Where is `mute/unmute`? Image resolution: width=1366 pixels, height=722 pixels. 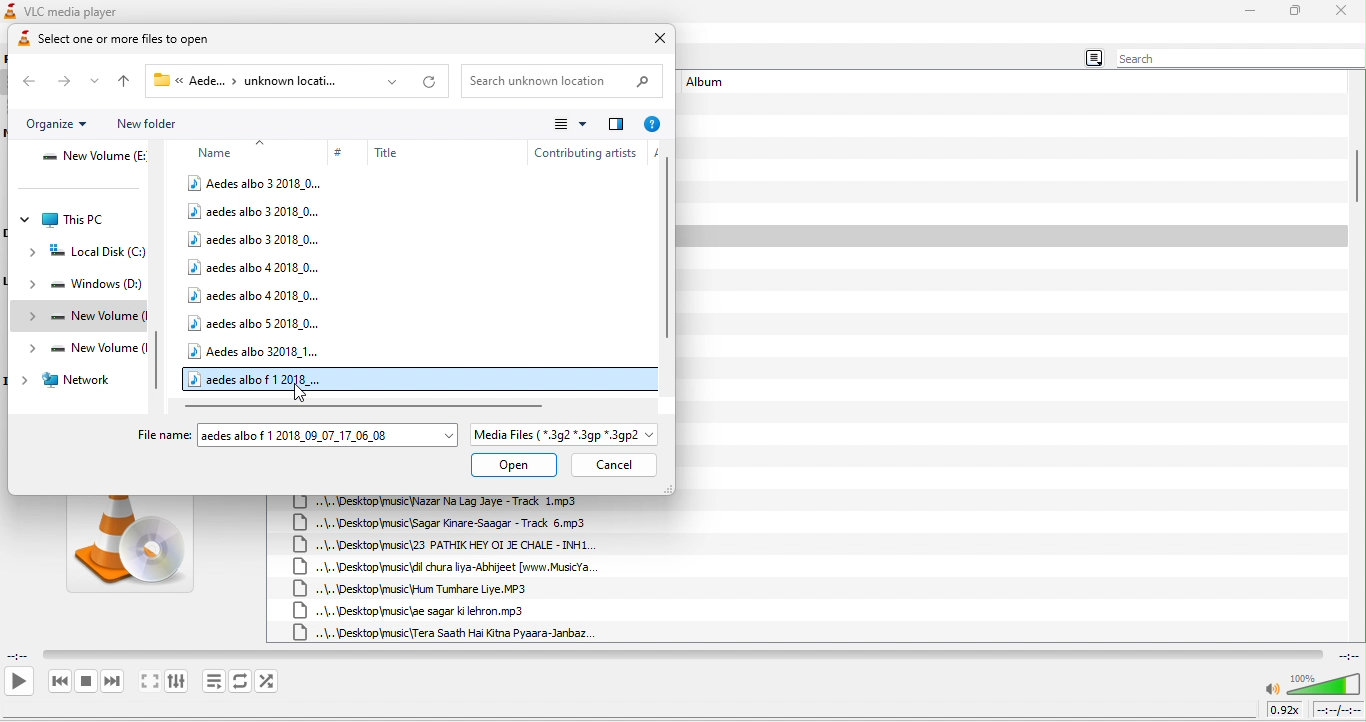 mute/unmute is located at coordinates (1272, 690).